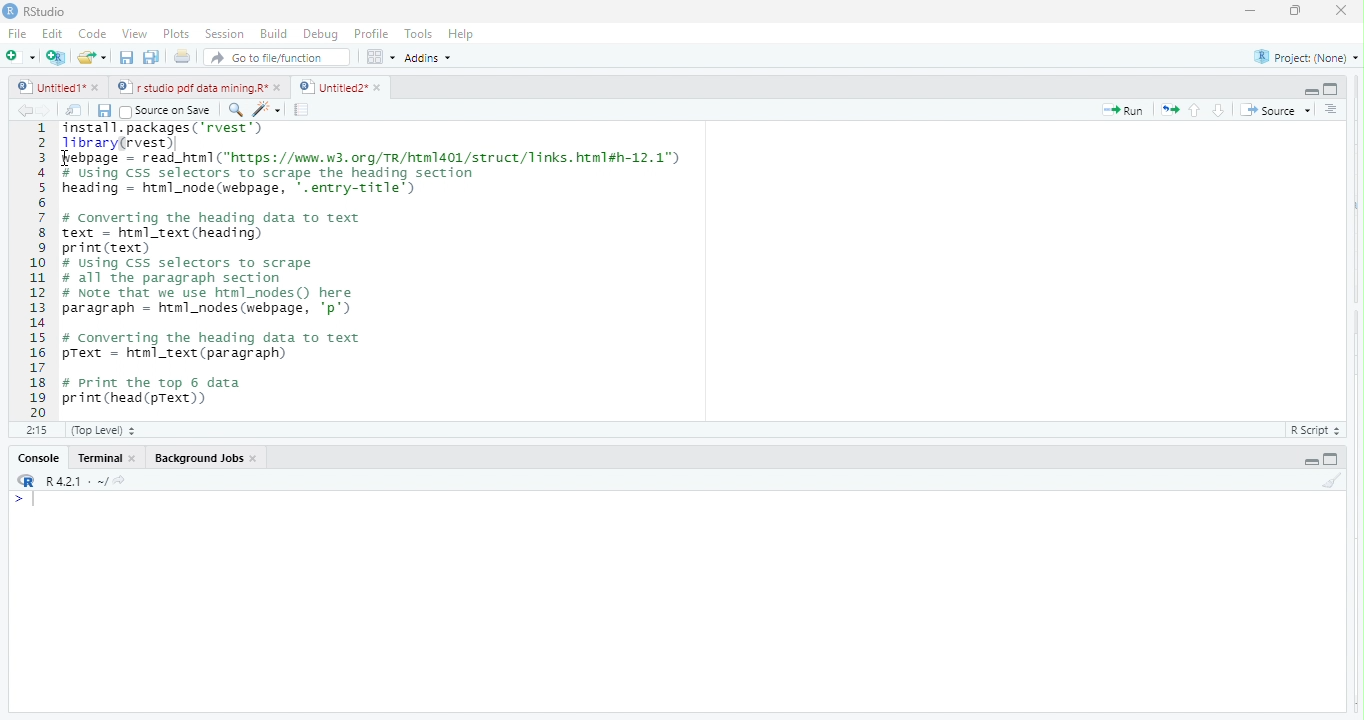 The width and height of the screenshot is (1364, 720). I want to click on Edit, so click(53, 33).